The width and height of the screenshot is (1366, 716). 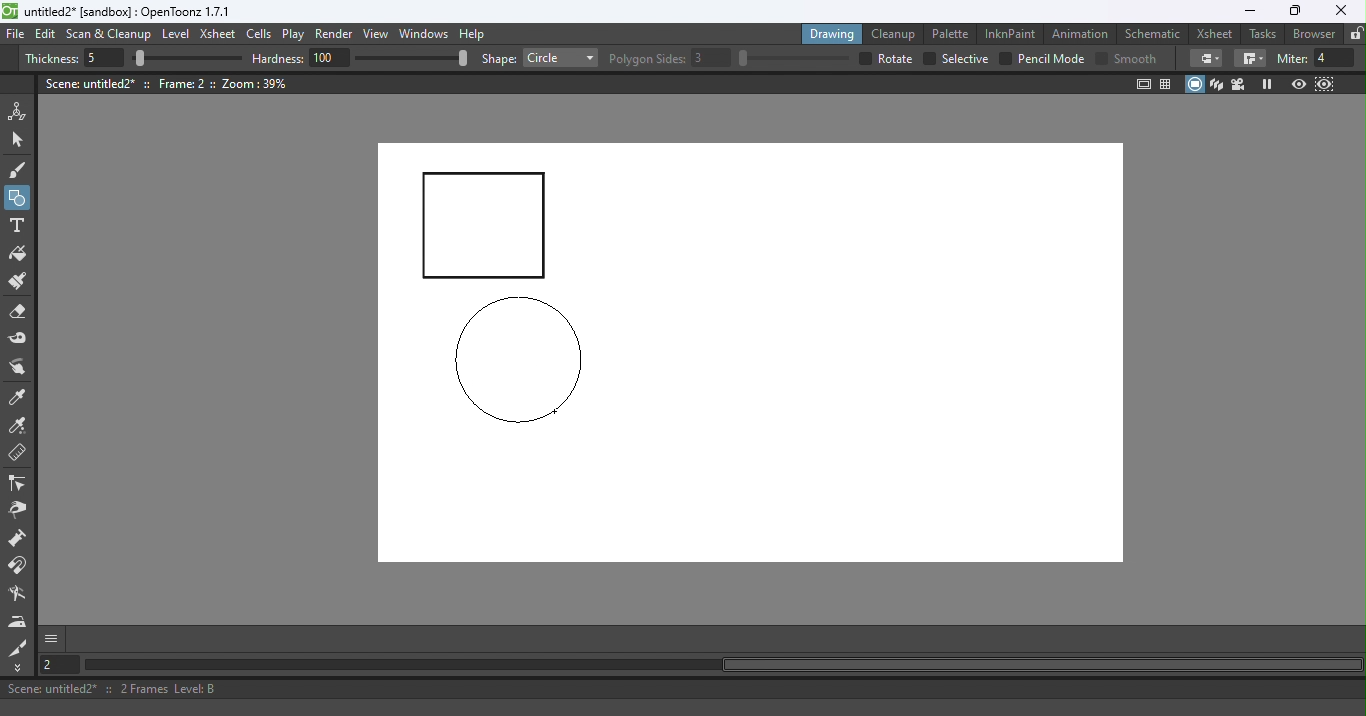 What do you see at coordinates (1250, 59) in the screenshot?
I see `Border corners` at bounding box center [1250, 59].